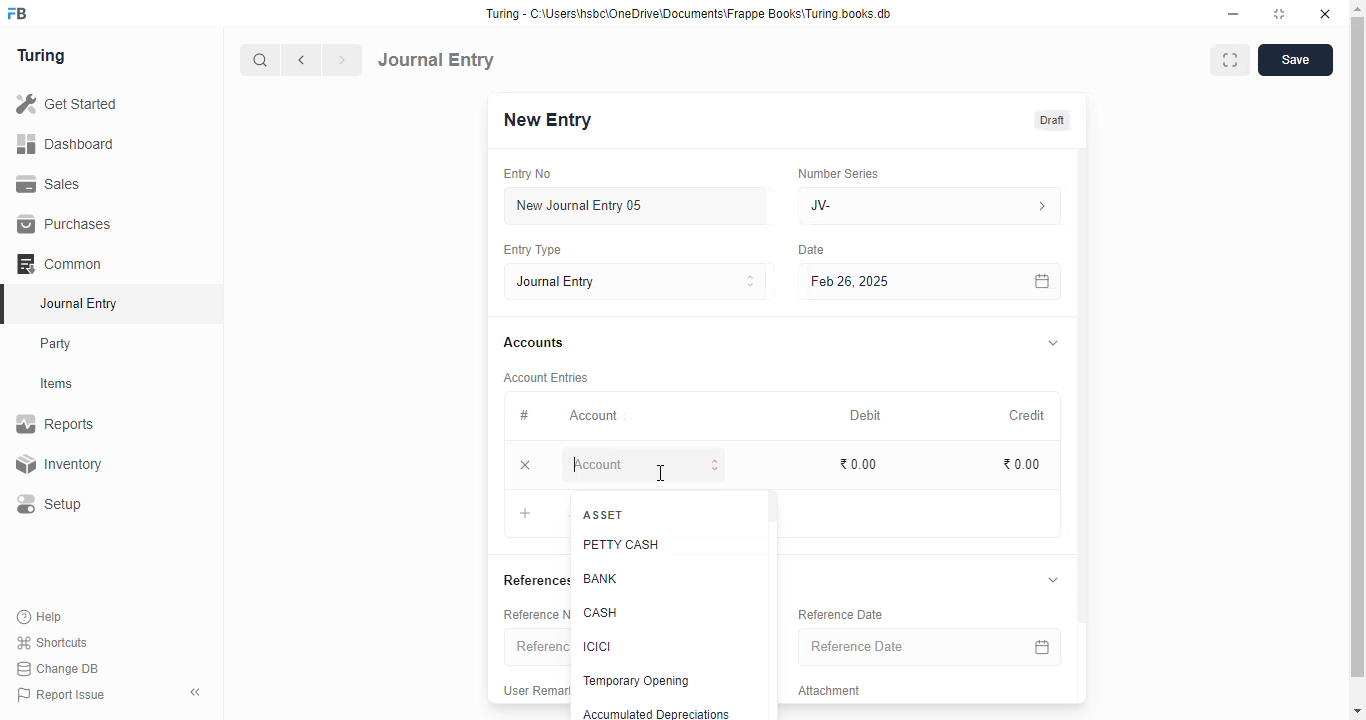  Describe the element at coordinates (66, 143) in the screenshot. I see `dashboard` at that location.